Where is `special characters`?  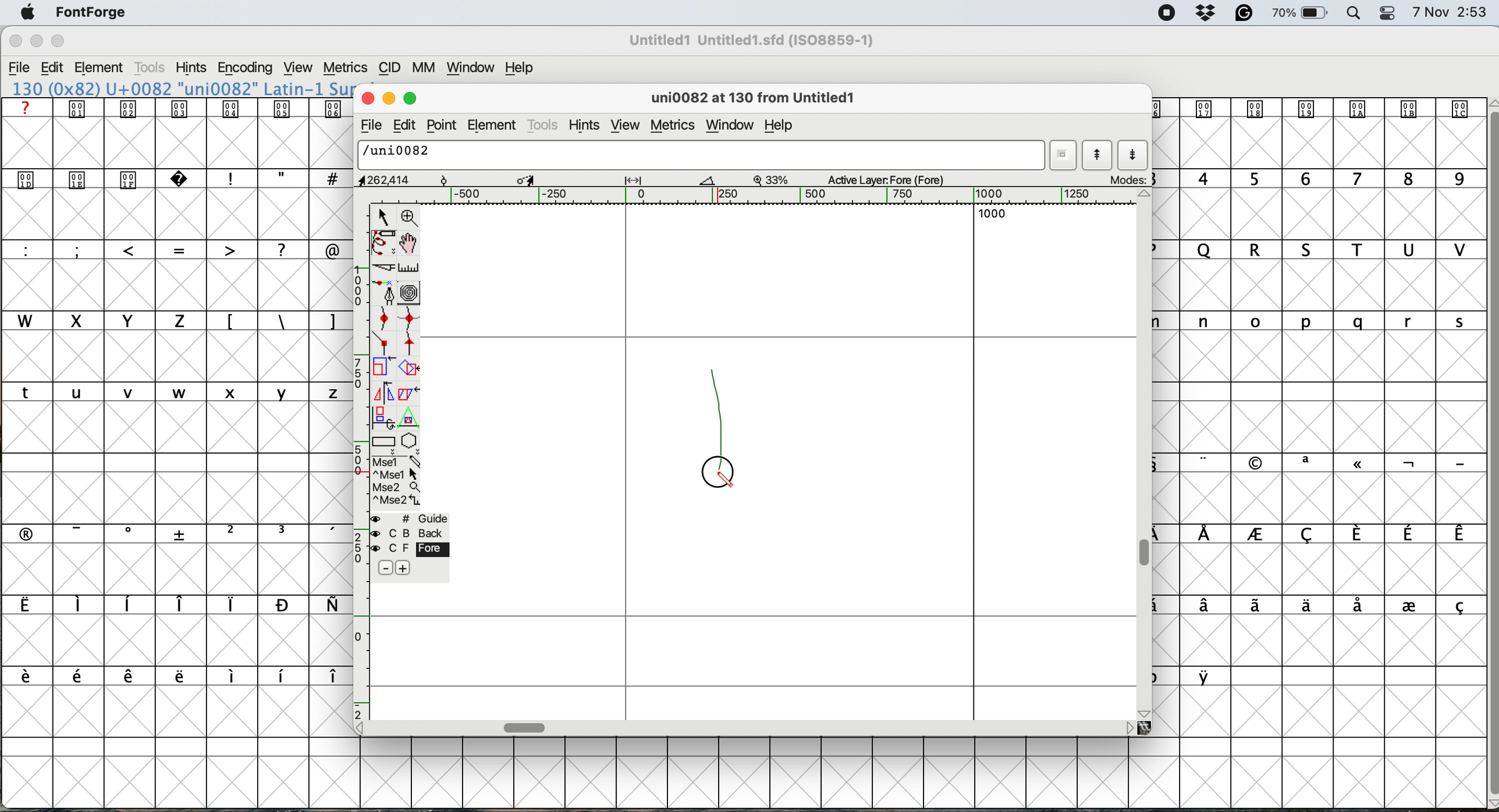 special characters is located at coordinates (169, 533).